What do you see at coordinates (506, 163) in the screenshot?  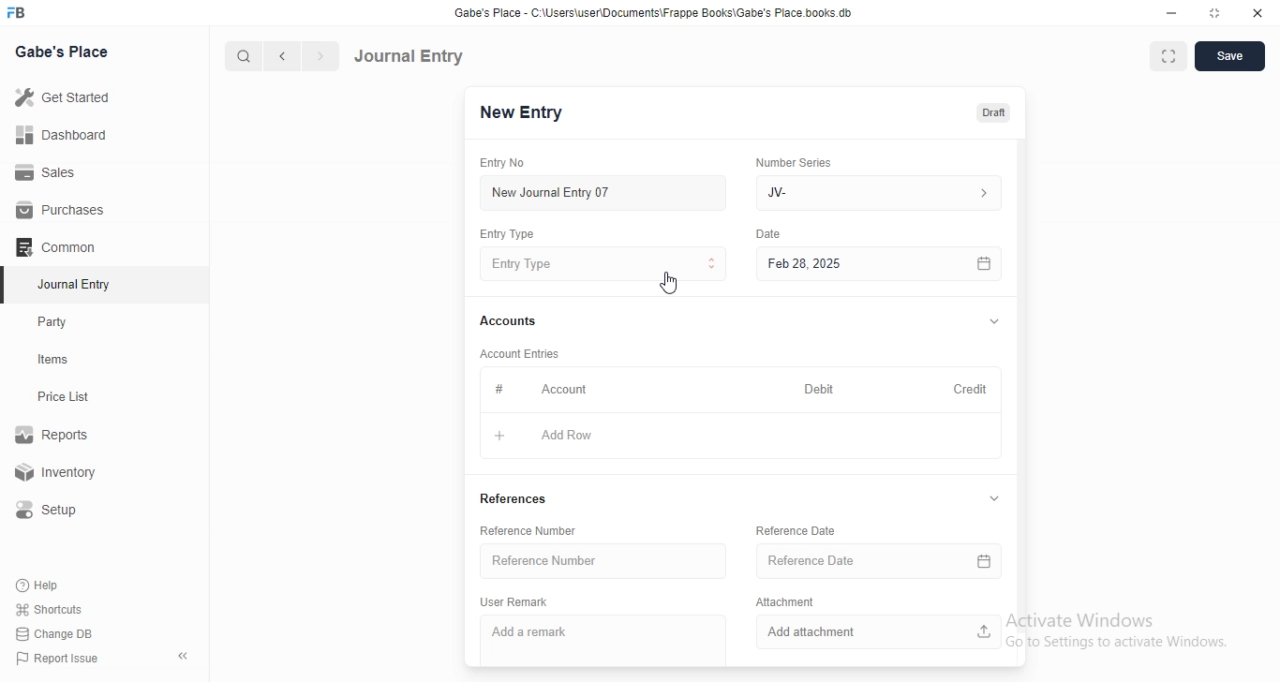 I see `Entry No` at bounding box center [506, 163].